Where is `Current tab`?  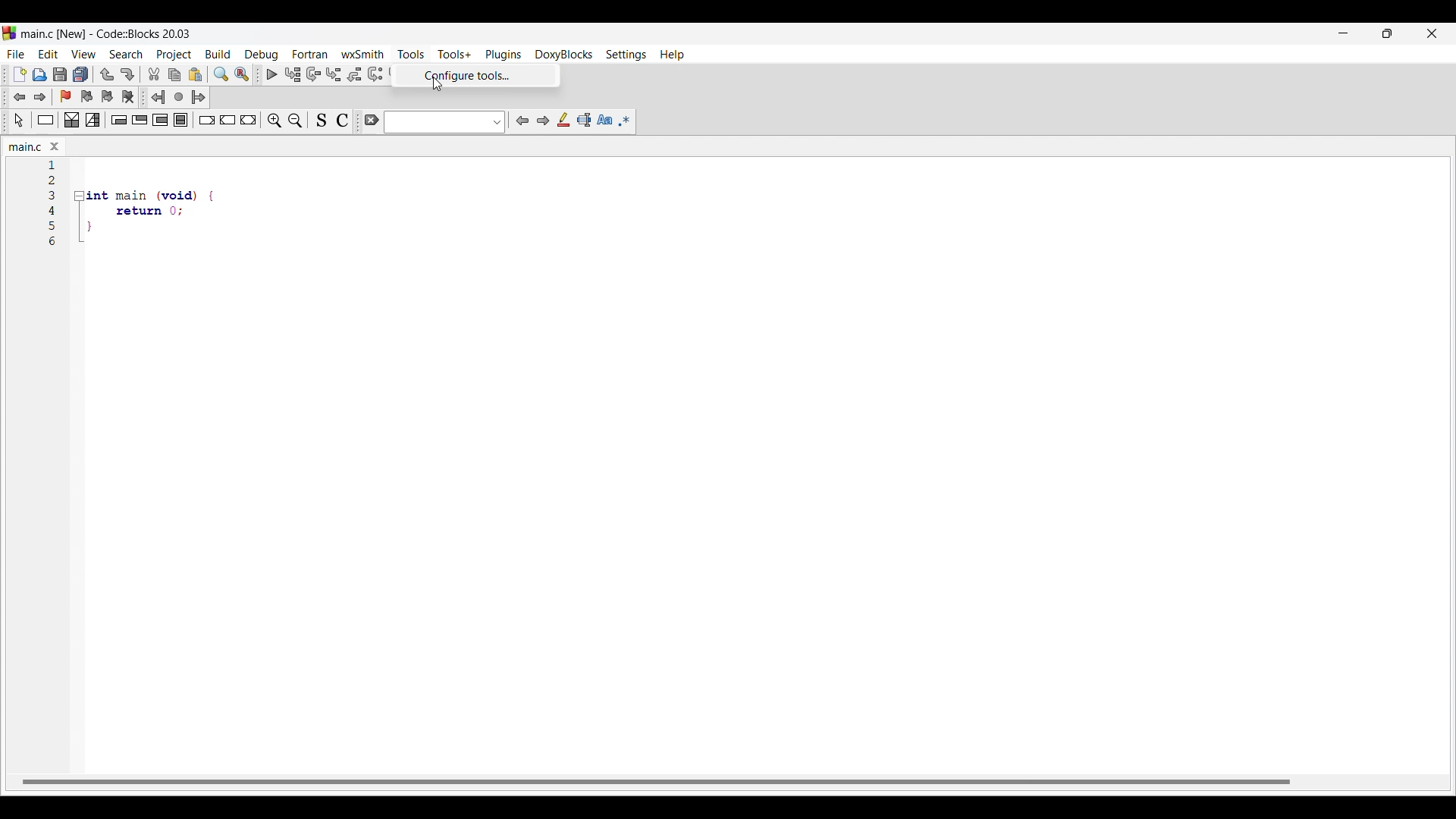
Current tab is located at coordinates (27, 147).